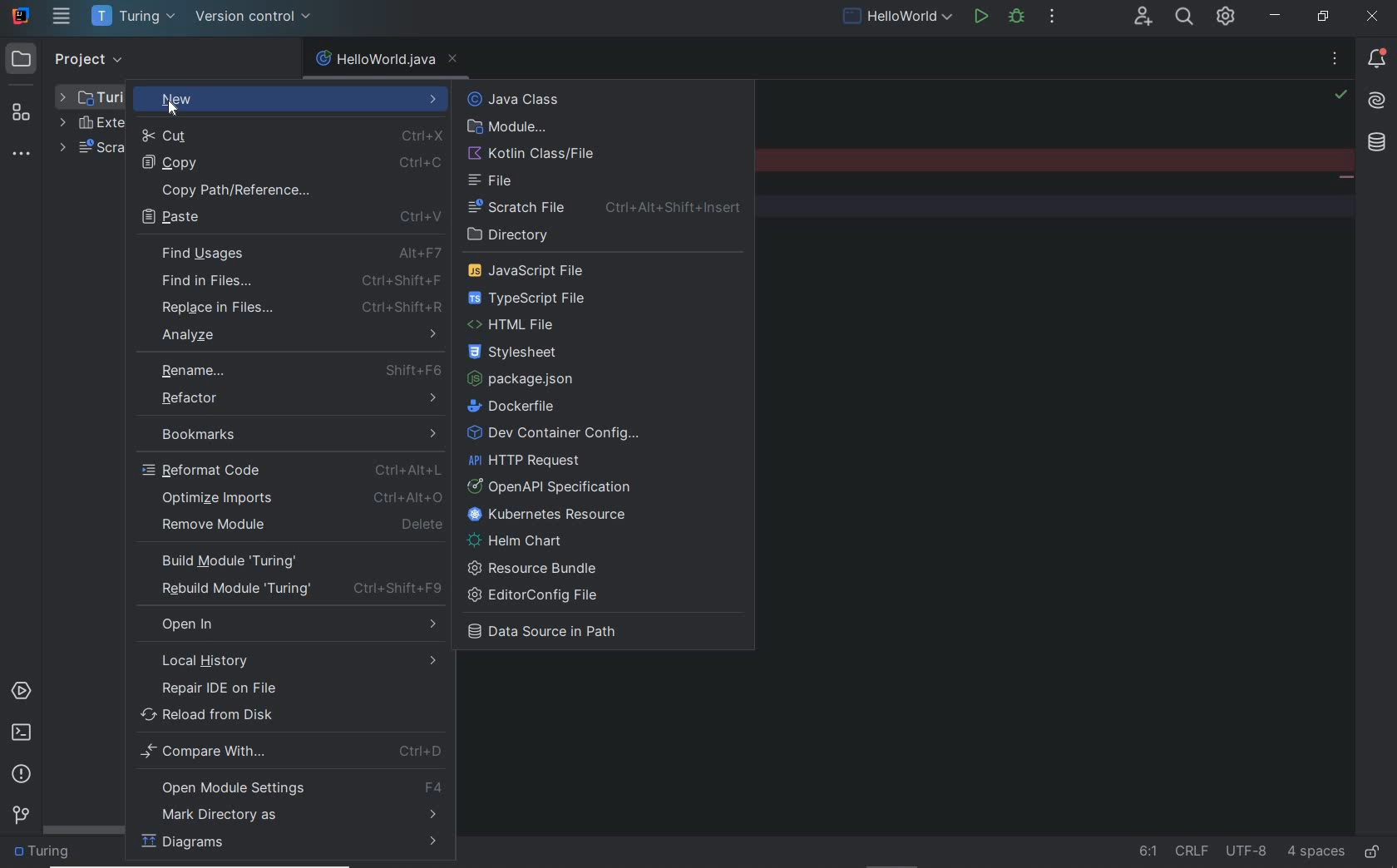 This screenshot has height=868, width=1397. Describe the element at coordinates (91, 123) in the screenshot. I see `external libraries` at that location.